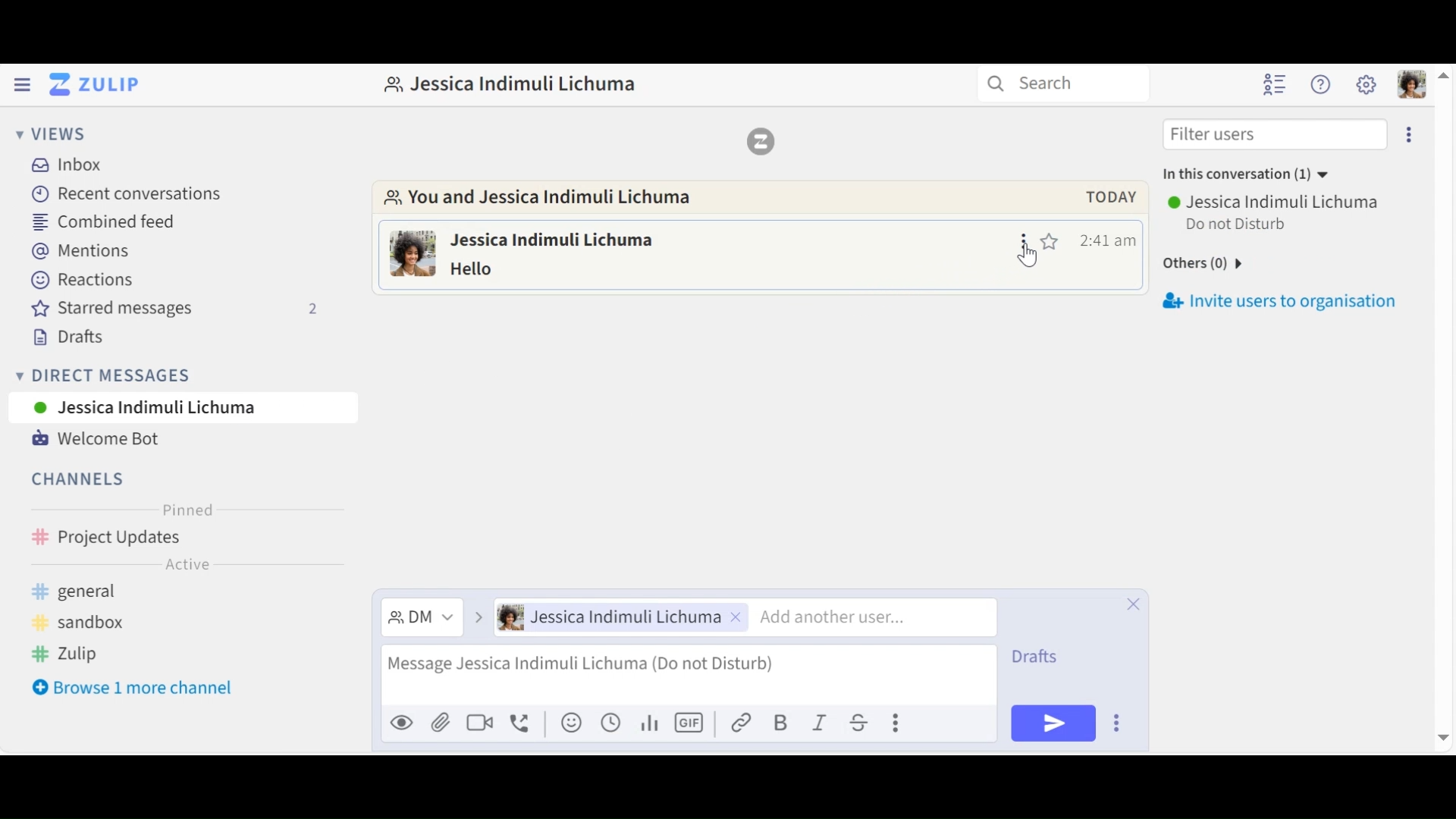 This screenshot has width=1456, height=819. I want to click on Upload File, so click(441, 725).